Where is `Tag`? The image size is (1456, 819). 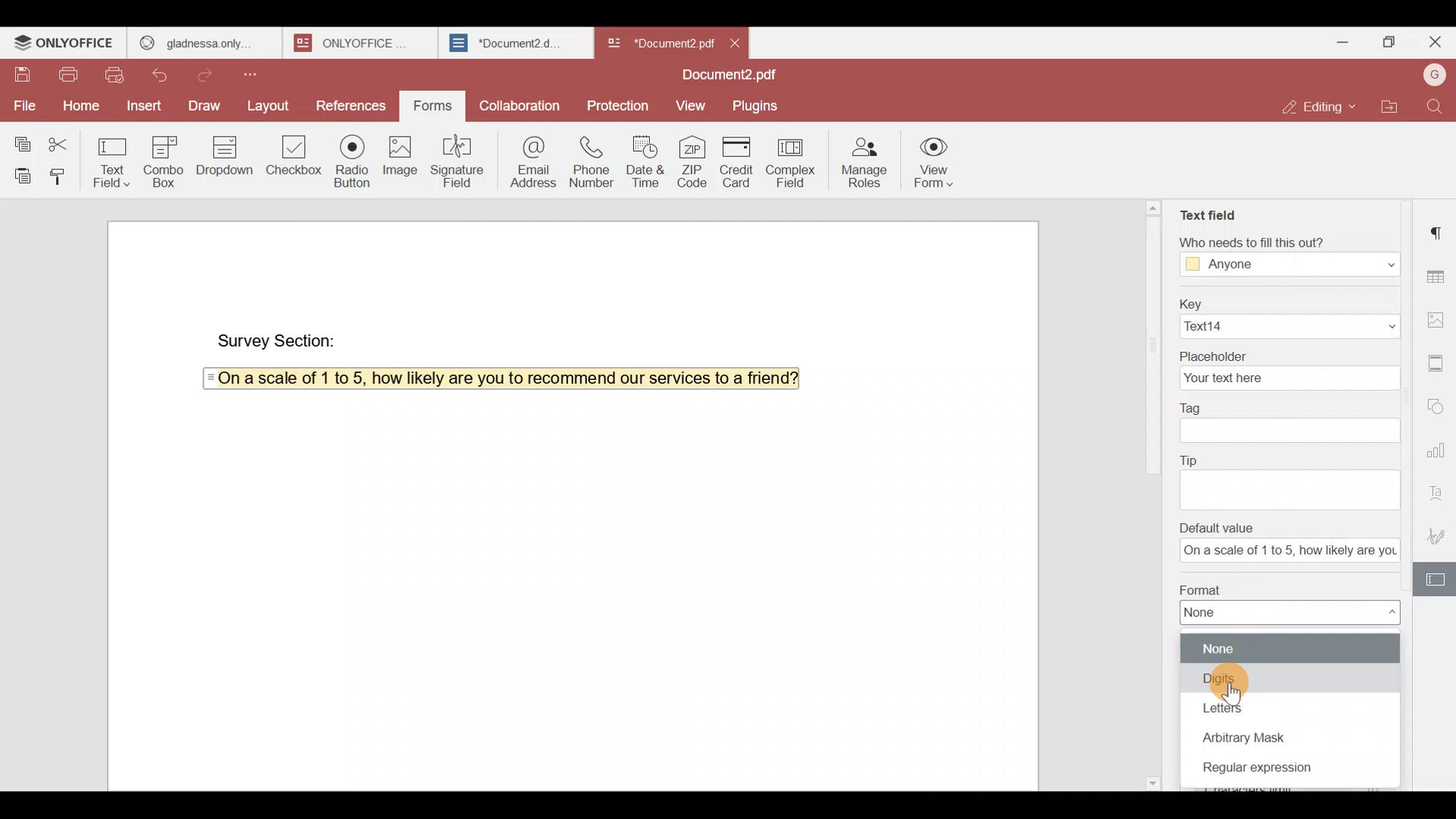
Tag is located at coordinates (1284, 405).